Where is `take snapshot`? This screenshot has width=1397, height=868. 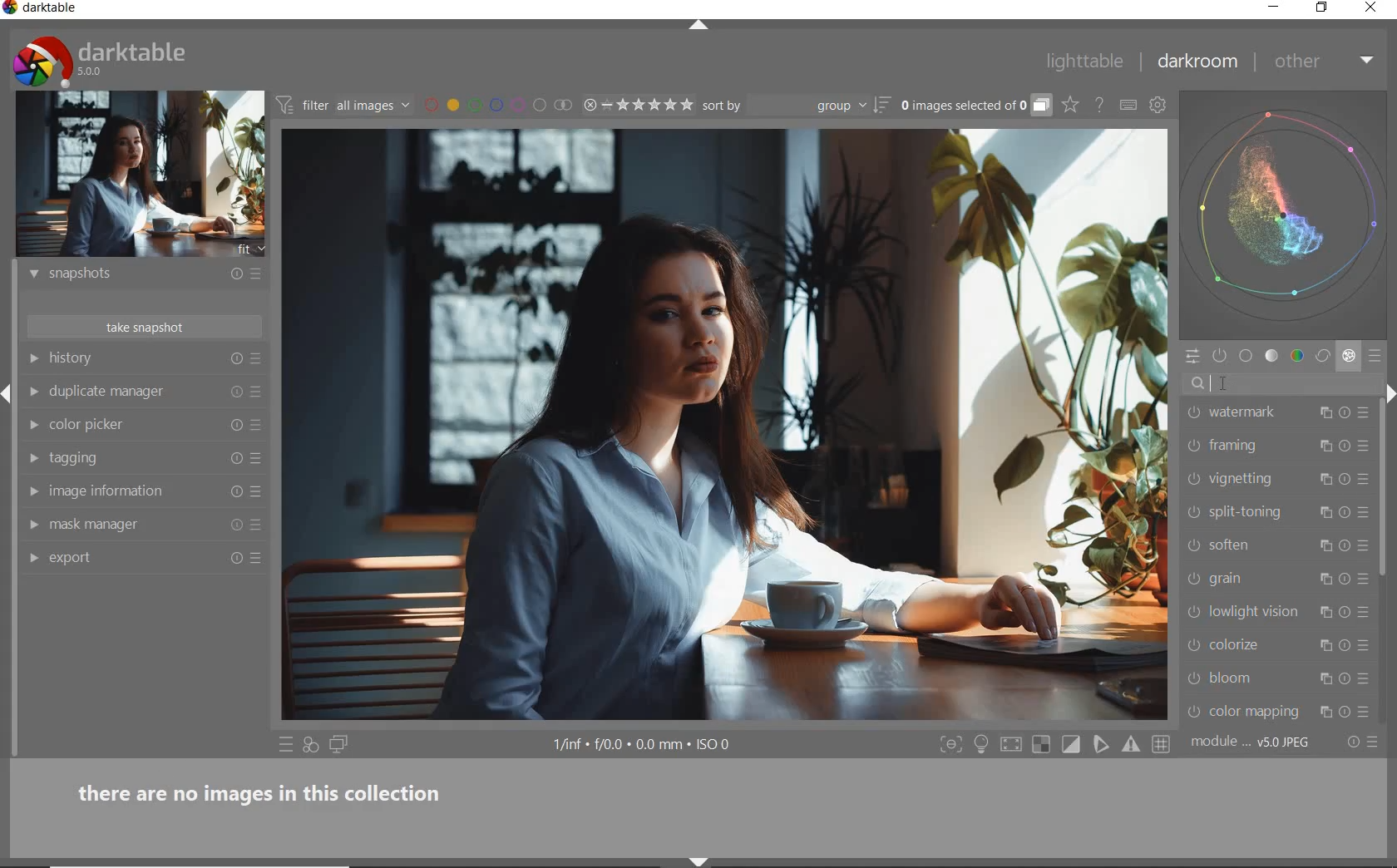
take snapshot is located at coordinates (141, 327).